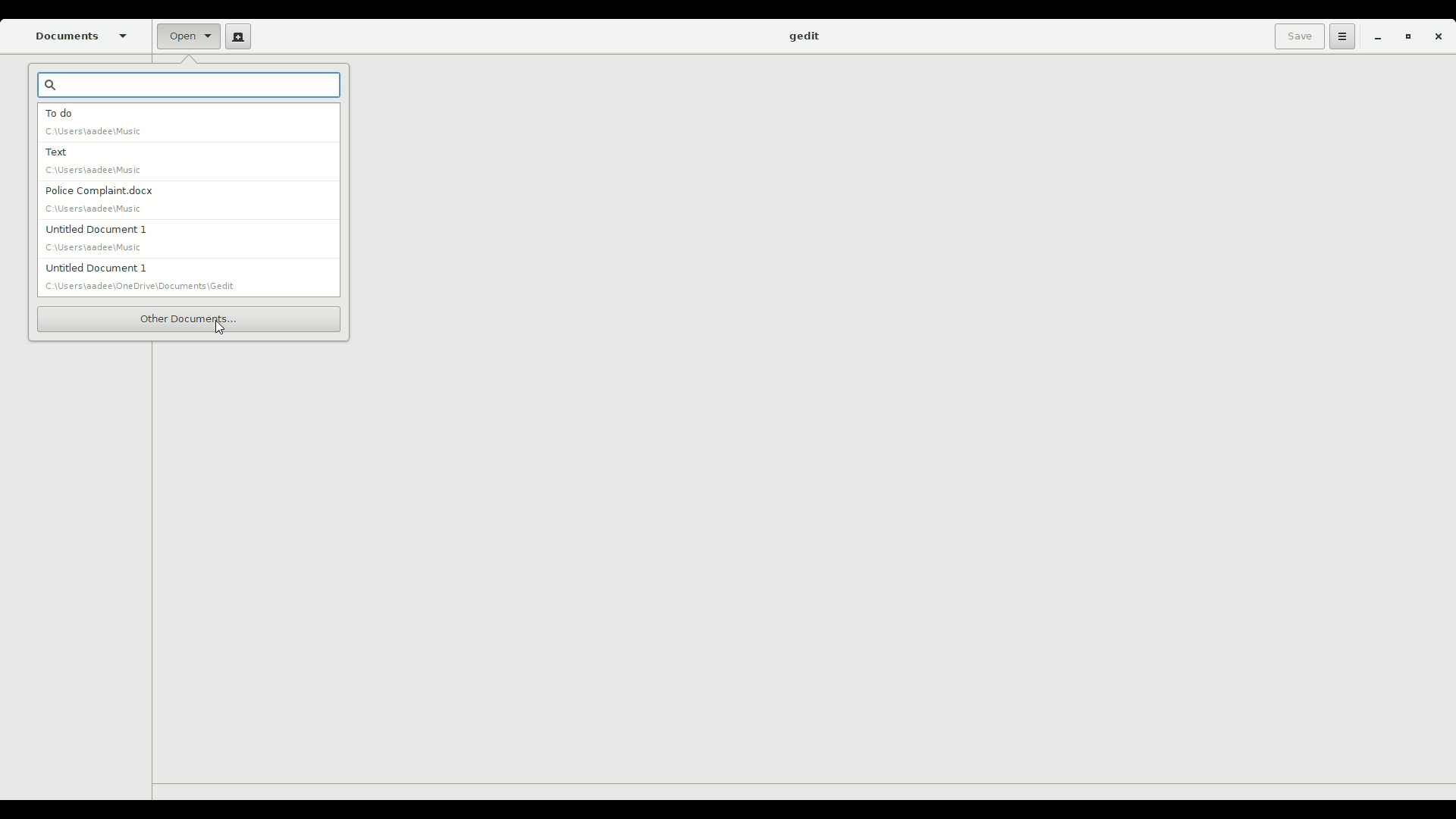 Image resolution: width=1456 pixels, height=819 pixels. I want to click on gedit, so click(803, 37).